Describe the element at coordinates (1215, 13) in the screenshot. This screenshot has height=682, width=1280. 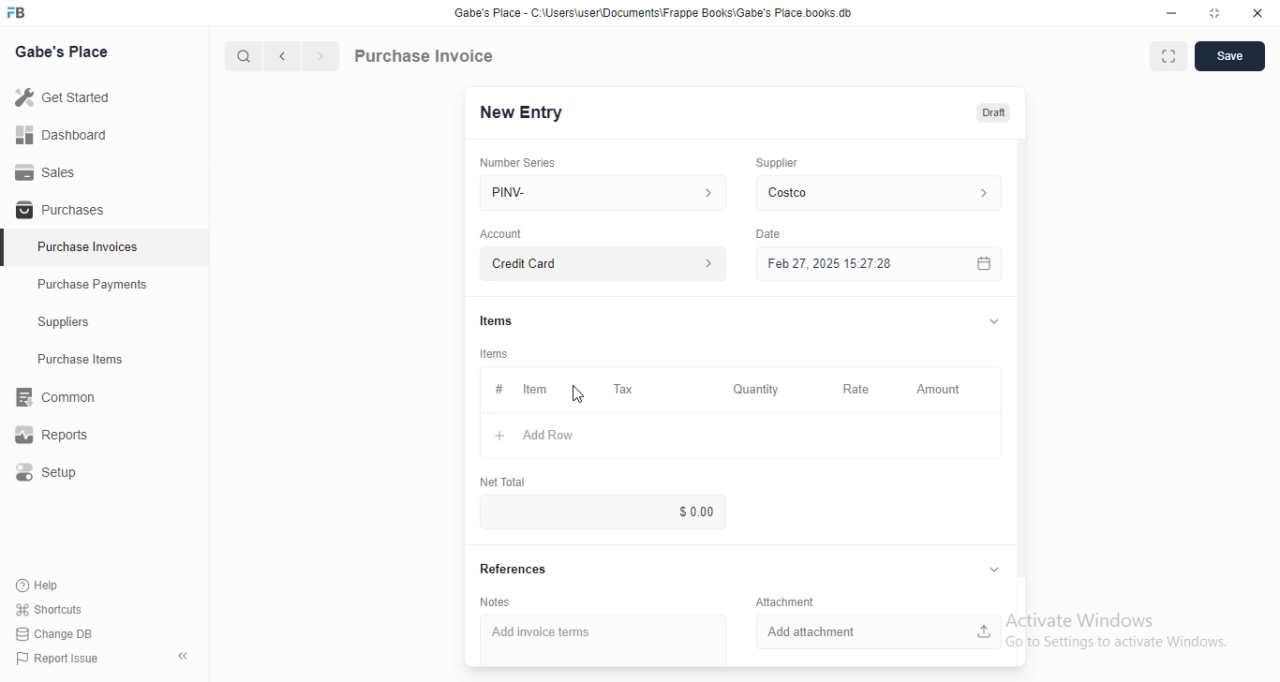
I see `Change dimension` at that location.